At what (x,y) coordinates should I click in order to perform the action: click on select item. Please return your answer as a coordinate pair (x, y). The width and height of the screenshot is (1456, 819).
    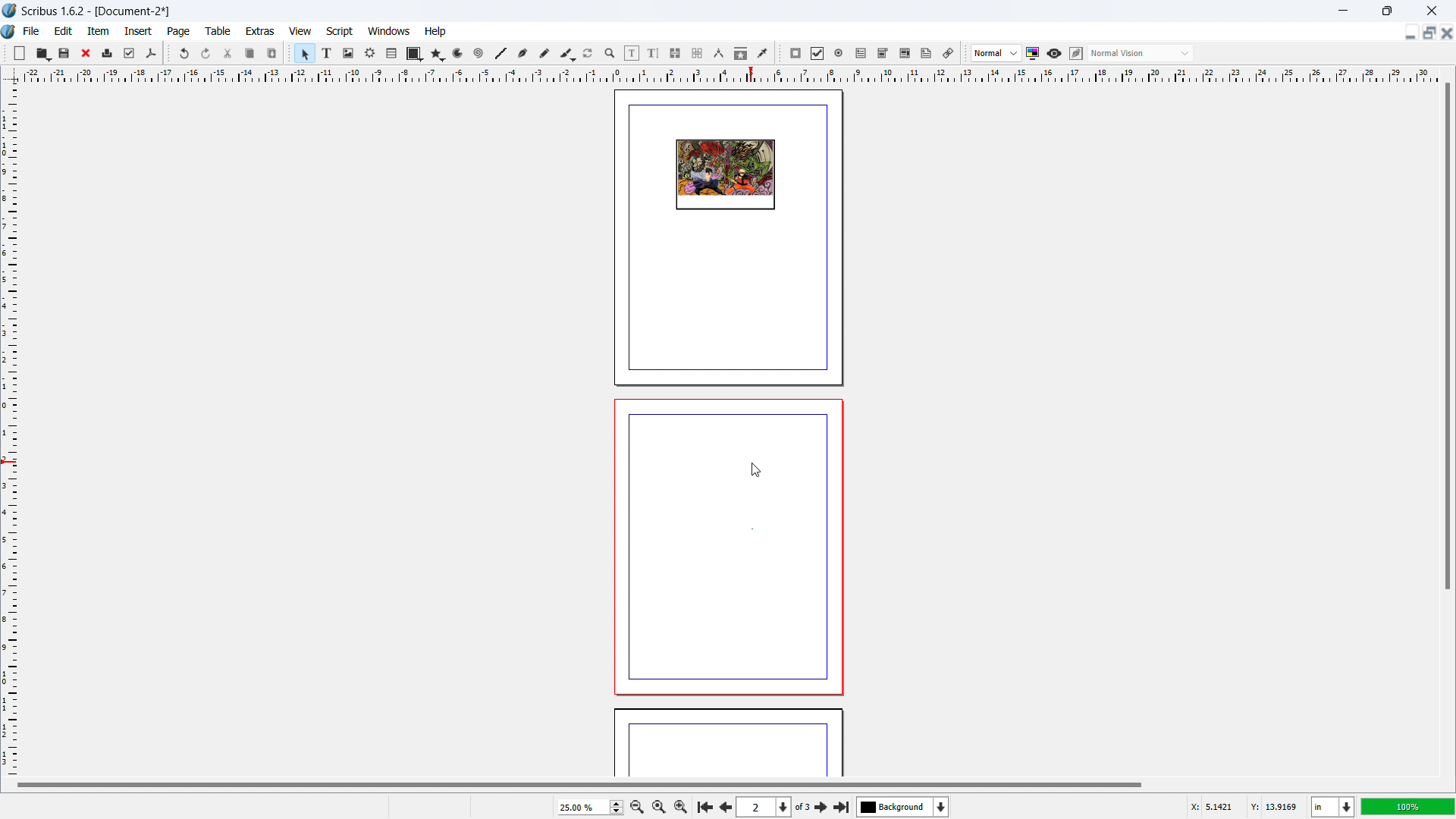
    Looking at the image, I should click on (305, 54).